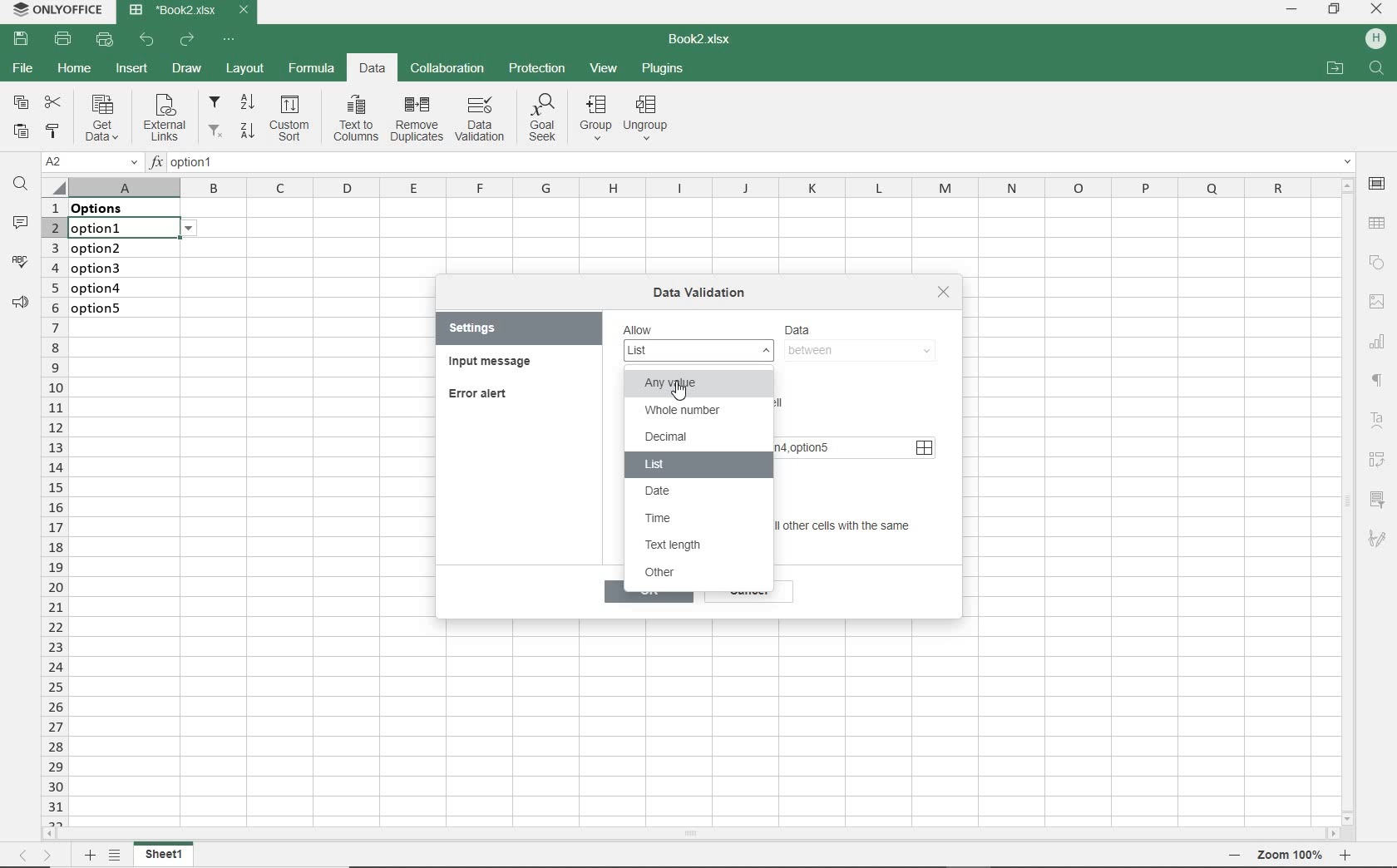  What do you see at coordinates (668, 437) in the screenshot?
I see `decimal` at bounding box center [668, 437].